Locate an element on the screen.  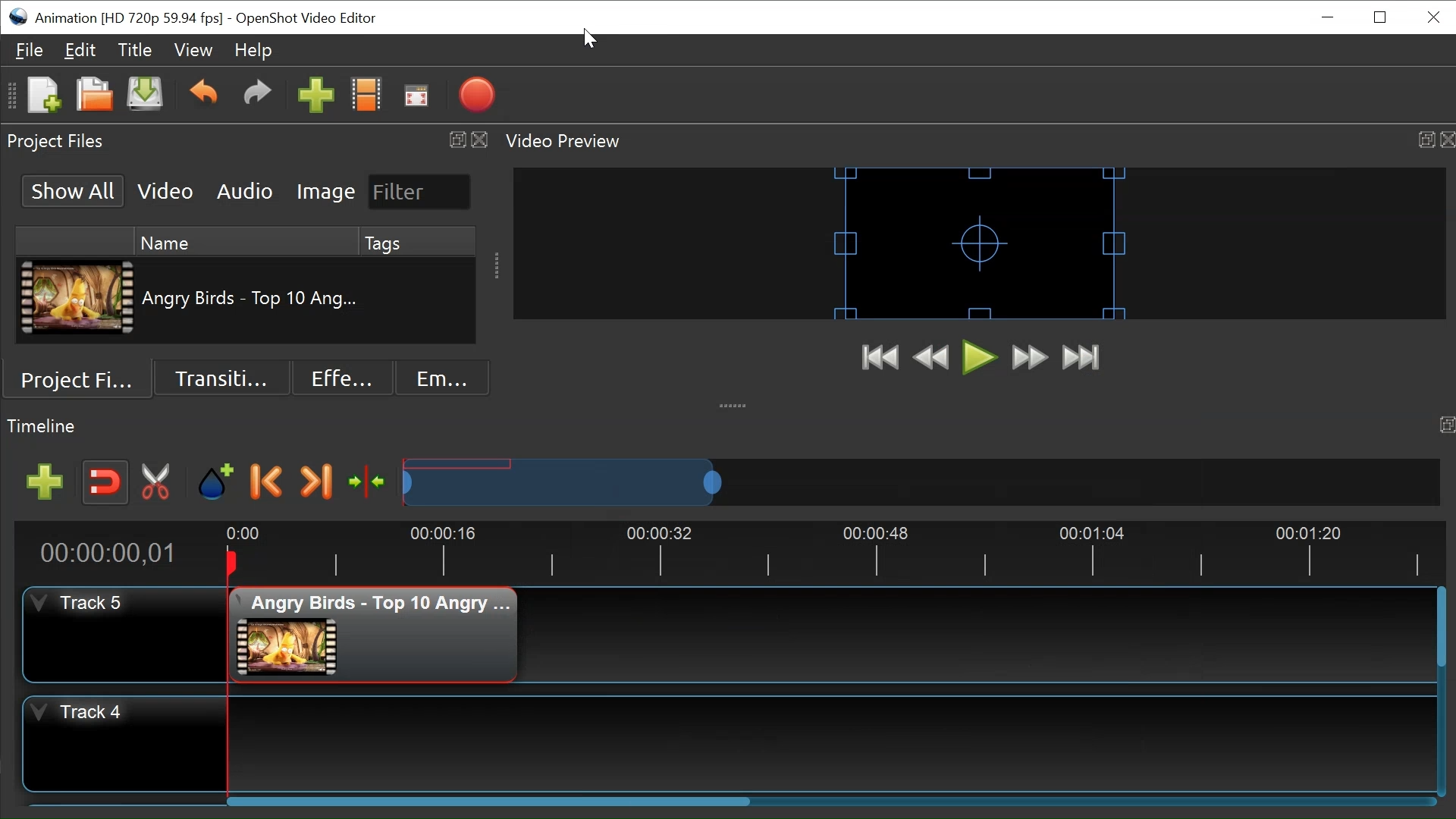
Current Position is located at coordinates (111, 555).